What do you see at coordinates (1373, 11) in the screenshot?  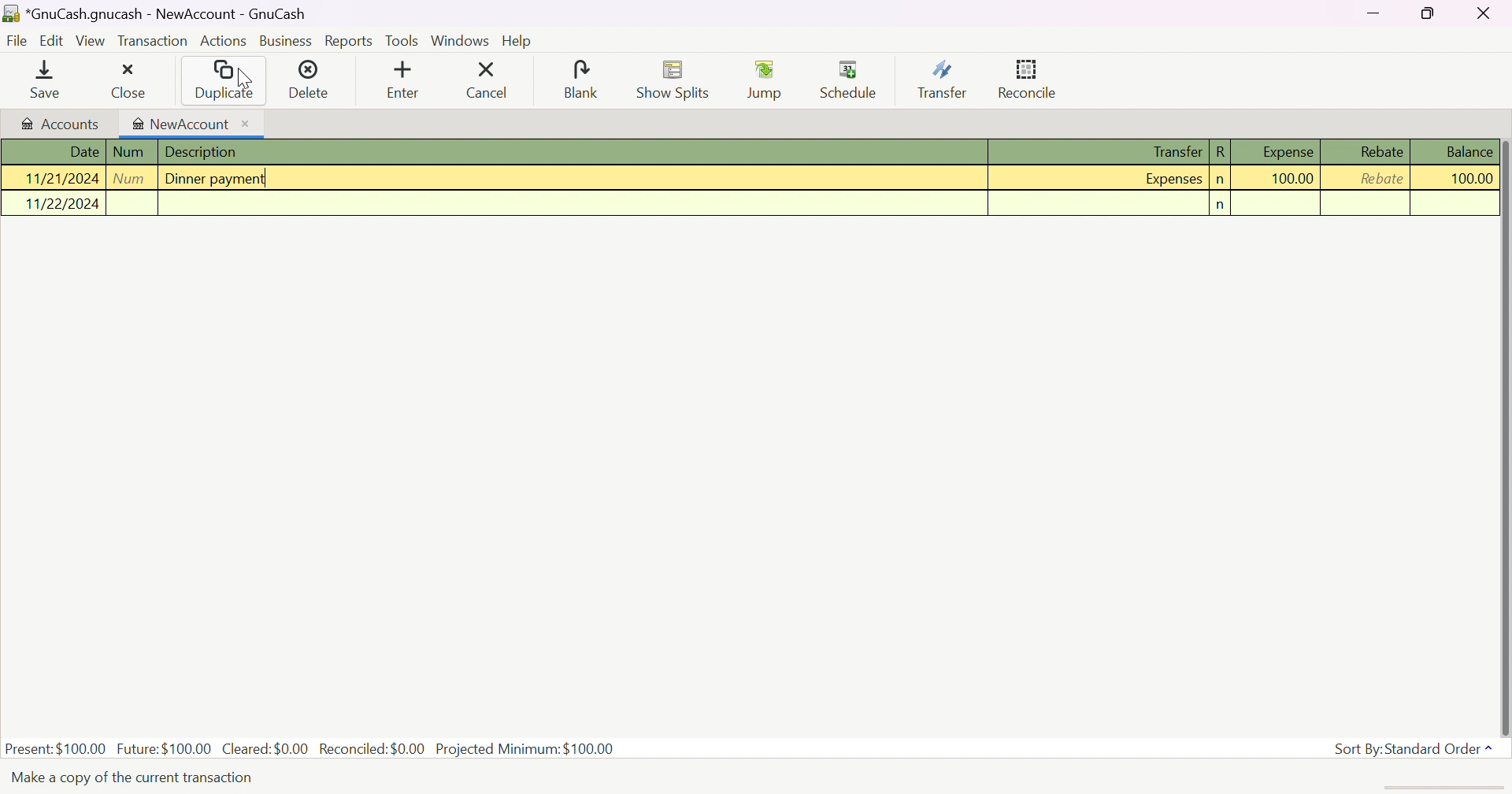 I see `Minimize` at bounding box center [1373, 11].